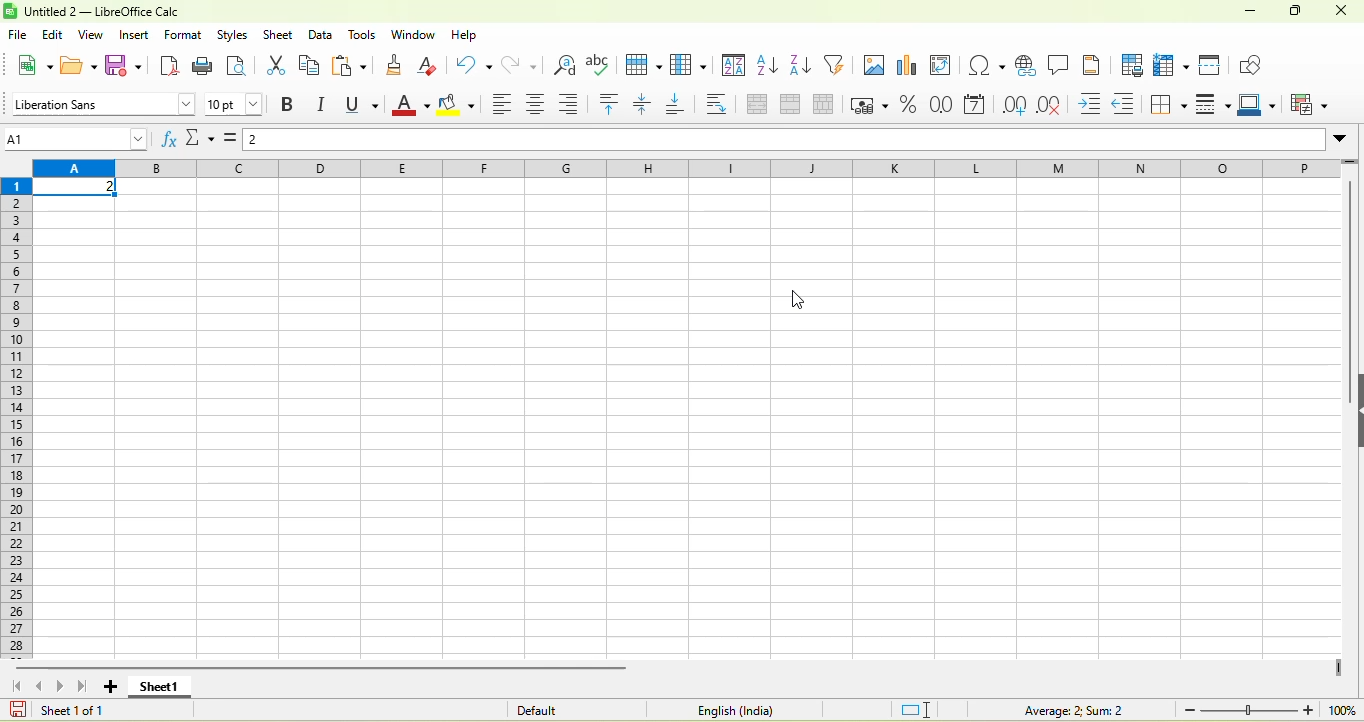 The width and height of the screenshot is (1364, 722). I want to click on formula bar, so click(789, 140).